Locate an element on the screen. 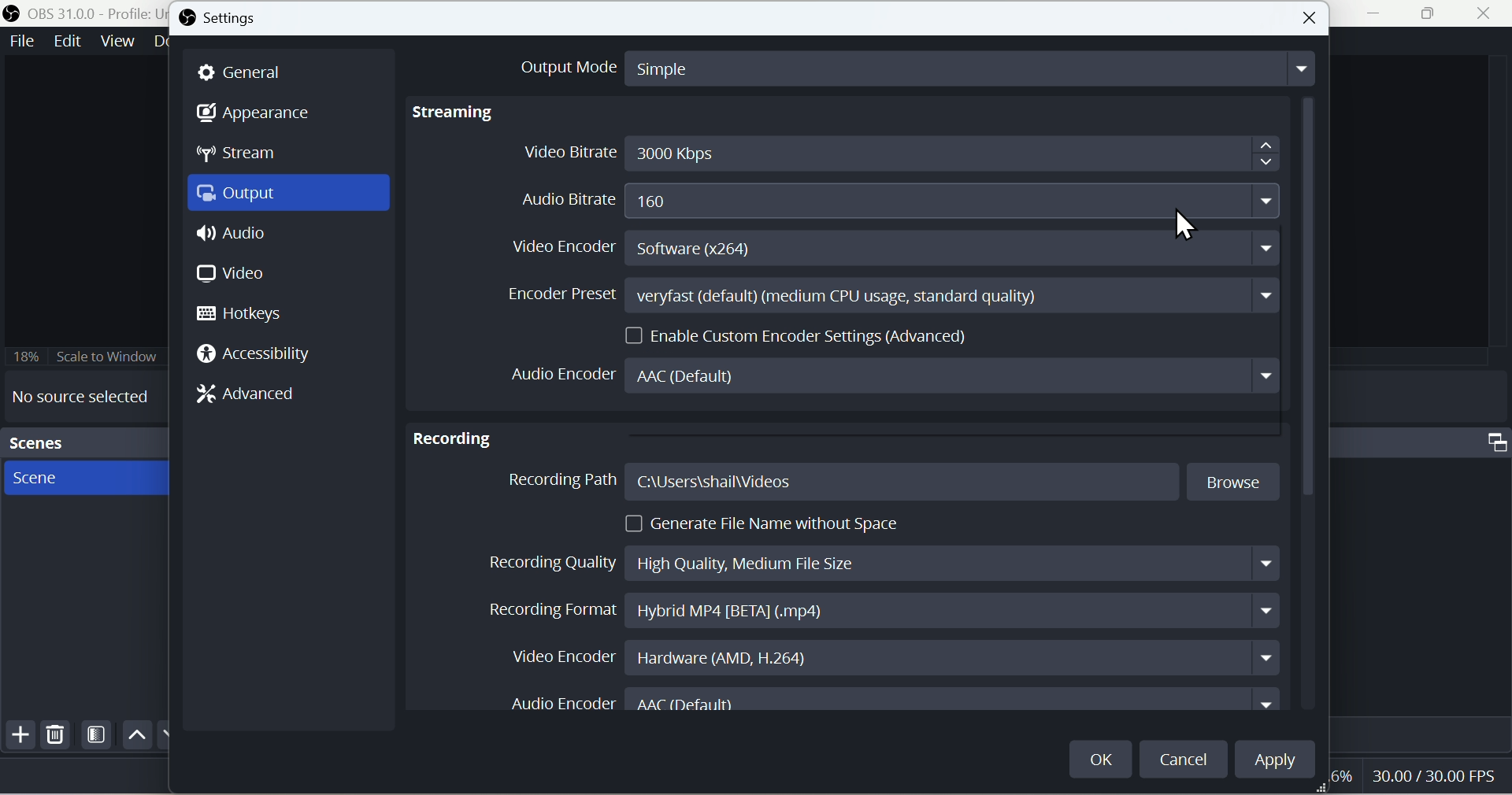 This screenshot has height=795, width=1512. Maximise is located at coordinates (1436, 14).